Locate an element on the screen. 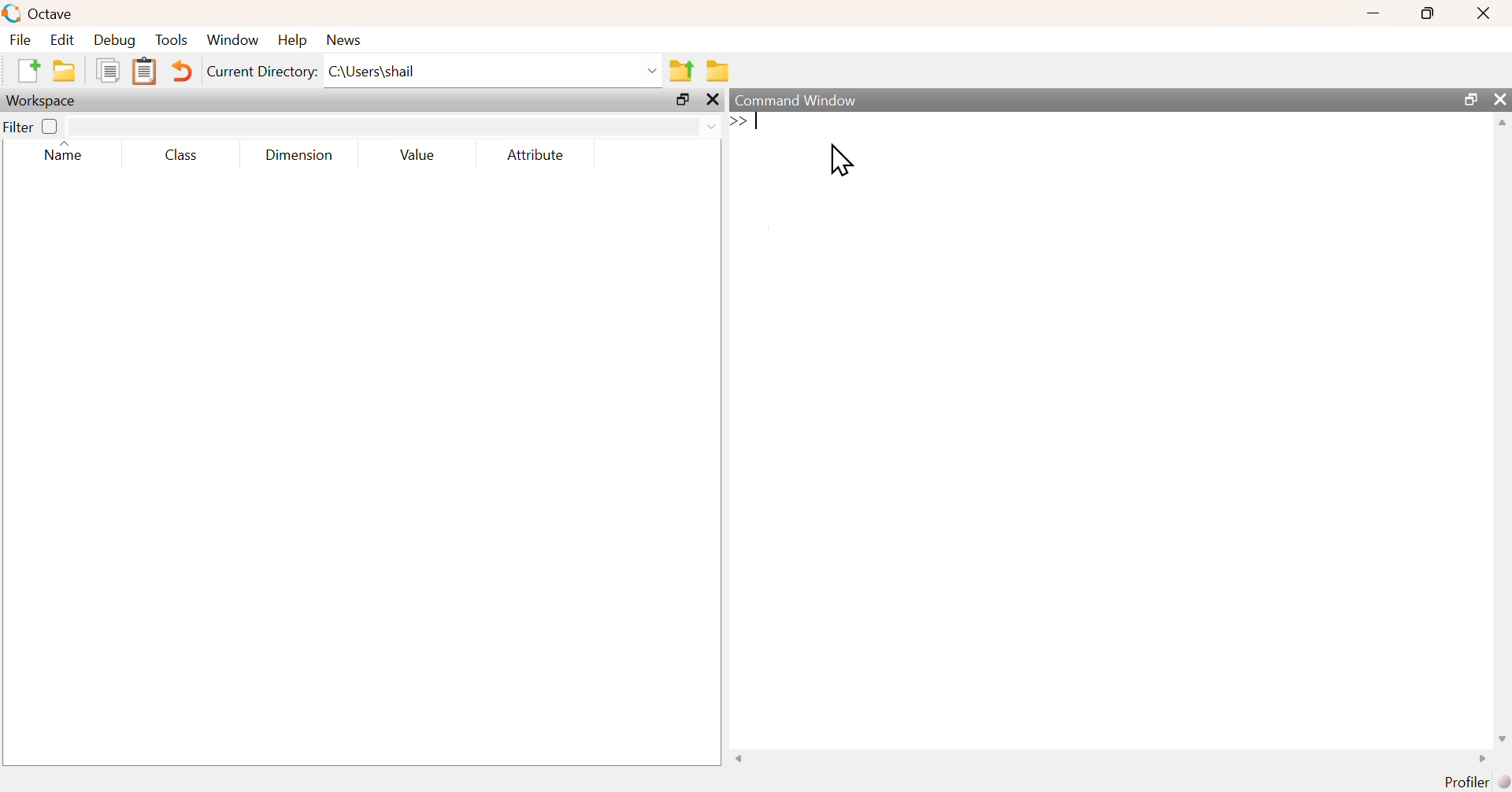  Name is located at coordinates (72, 153).